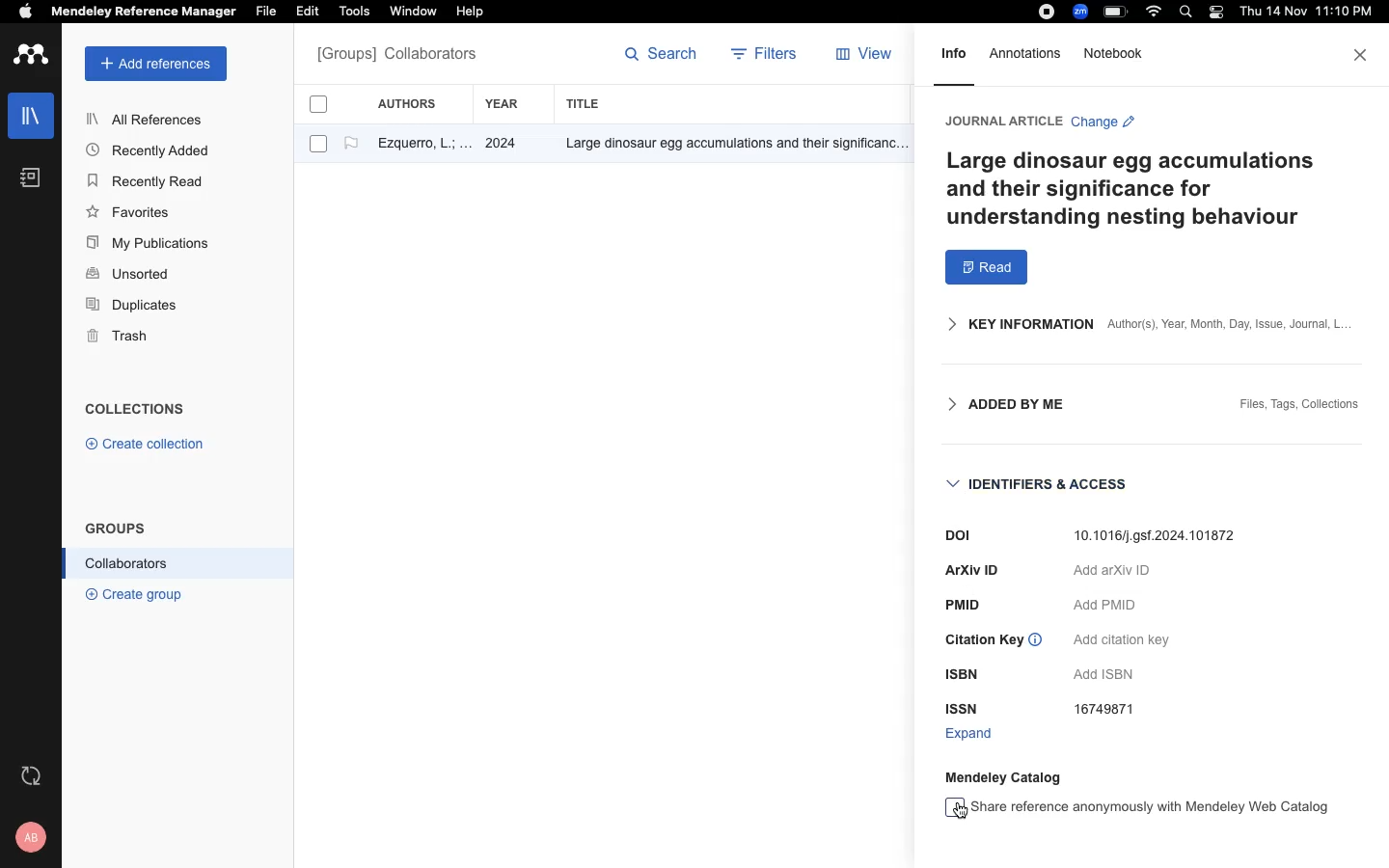 The width and height of the screenshot is (1389, 868). I want to click on view, so click(868, 58).